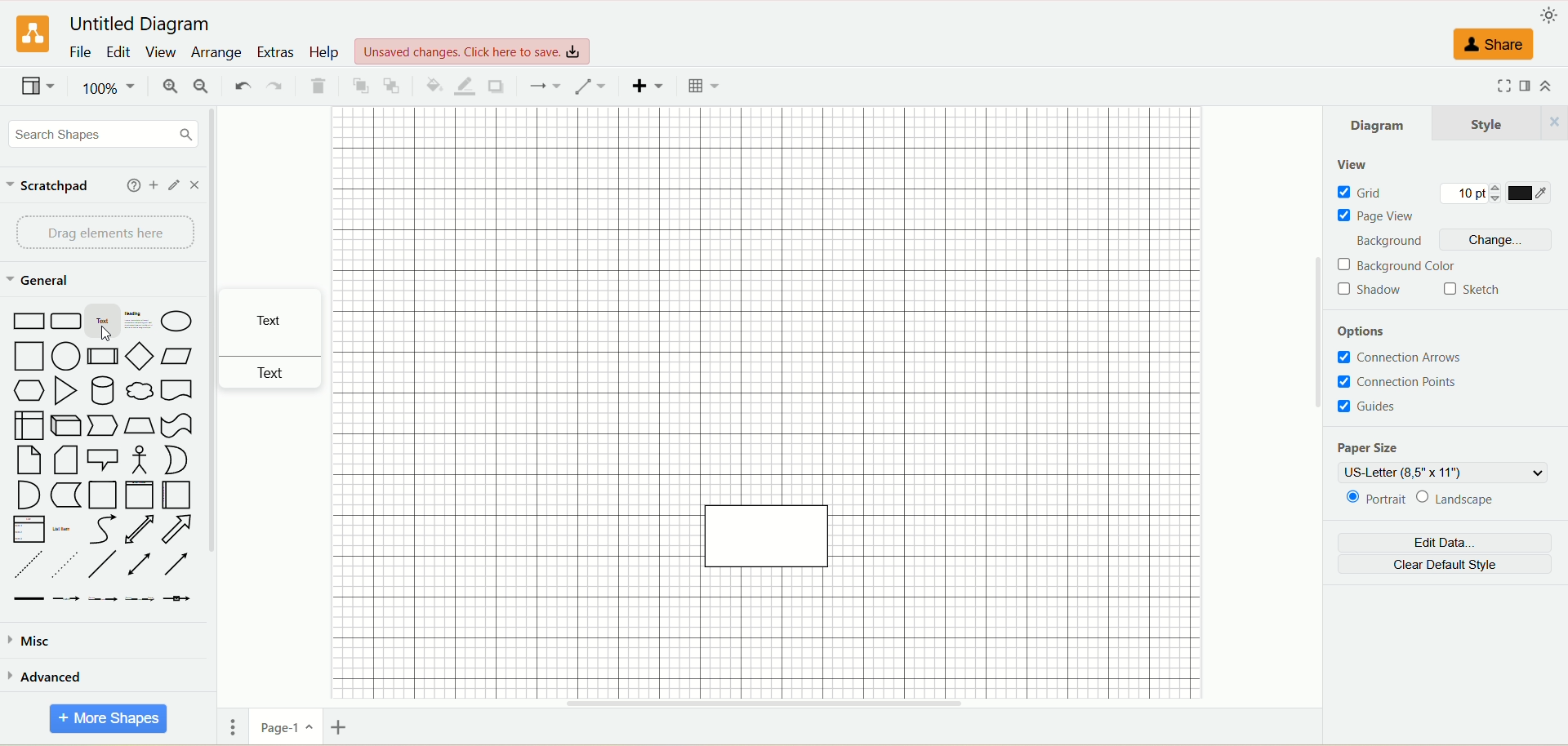 This screenshot has width=1568, height=746. Describe the element at coordinates (105, 459) in the screenshot. I see `callout` at that location.